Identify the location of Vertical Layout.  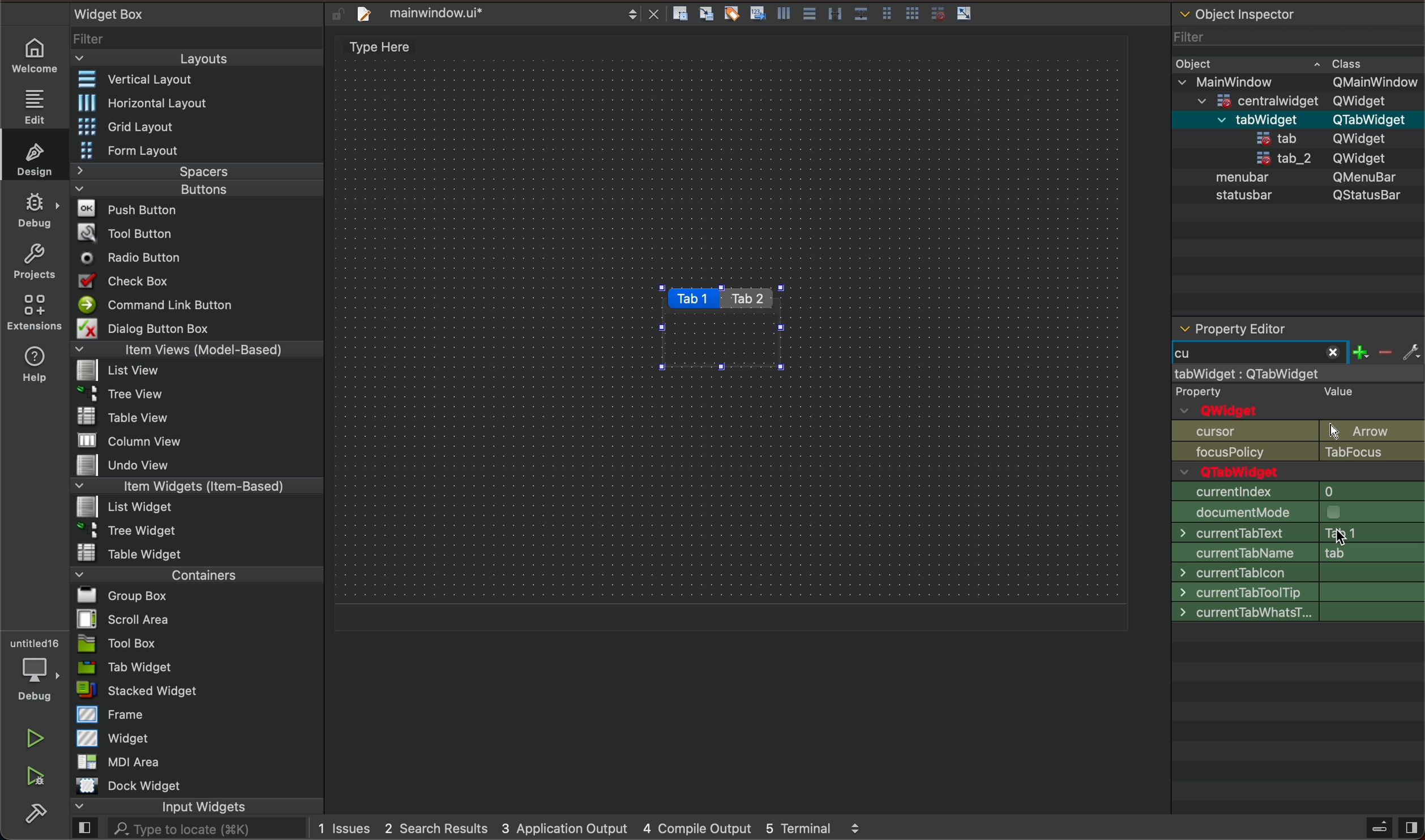
(132, 78).